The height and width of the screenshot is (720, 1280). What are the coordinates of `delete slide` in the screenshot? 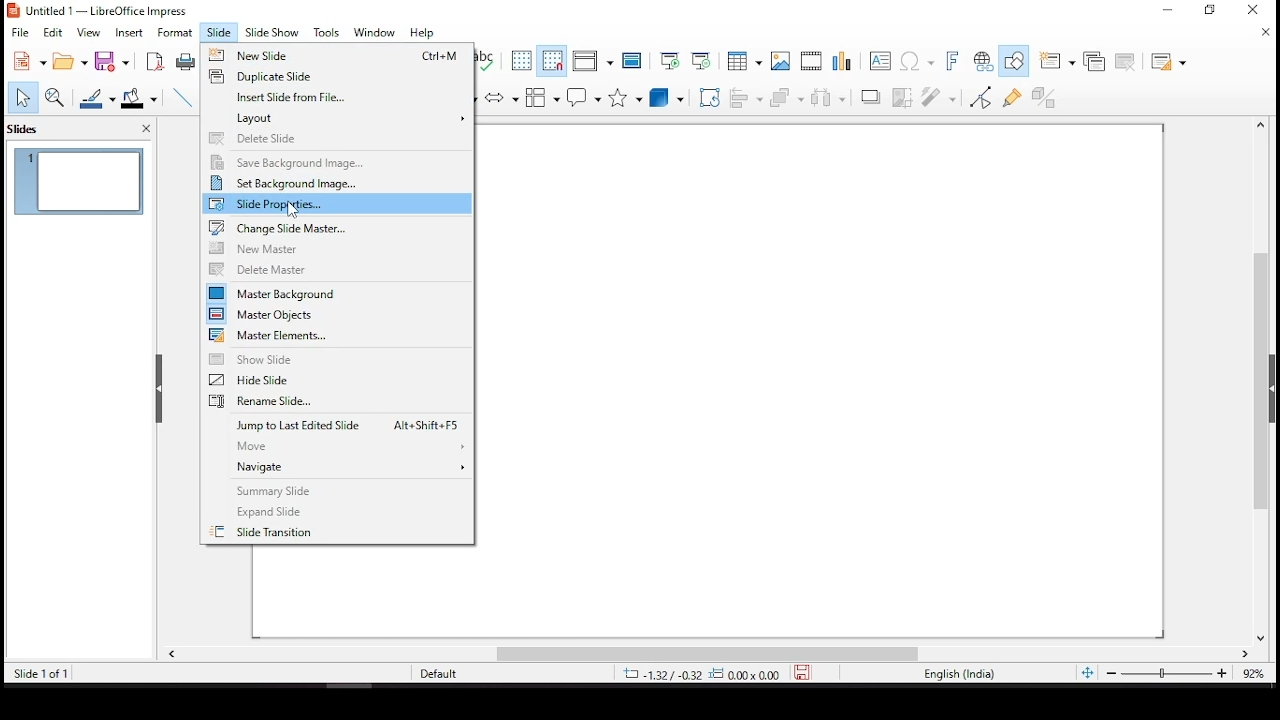 It's located at (337, 141).